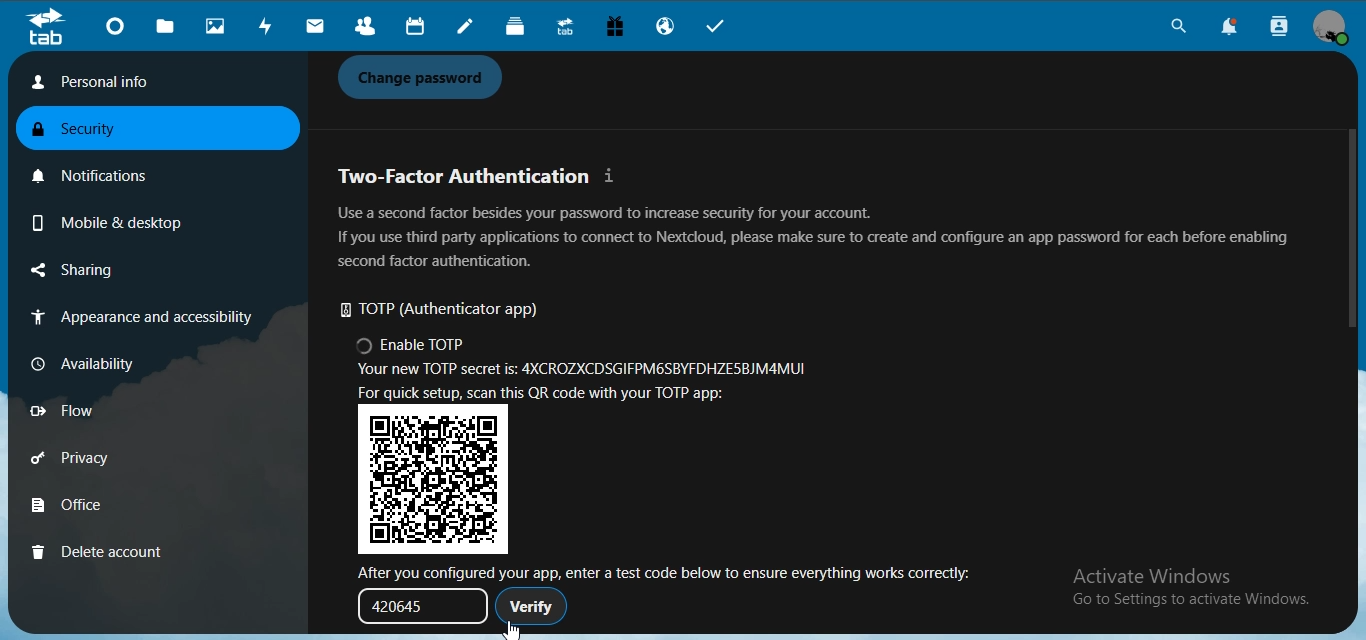 The width and height of the screenshot is (1366, 640). I want to click on calendar, so click(413, 27).